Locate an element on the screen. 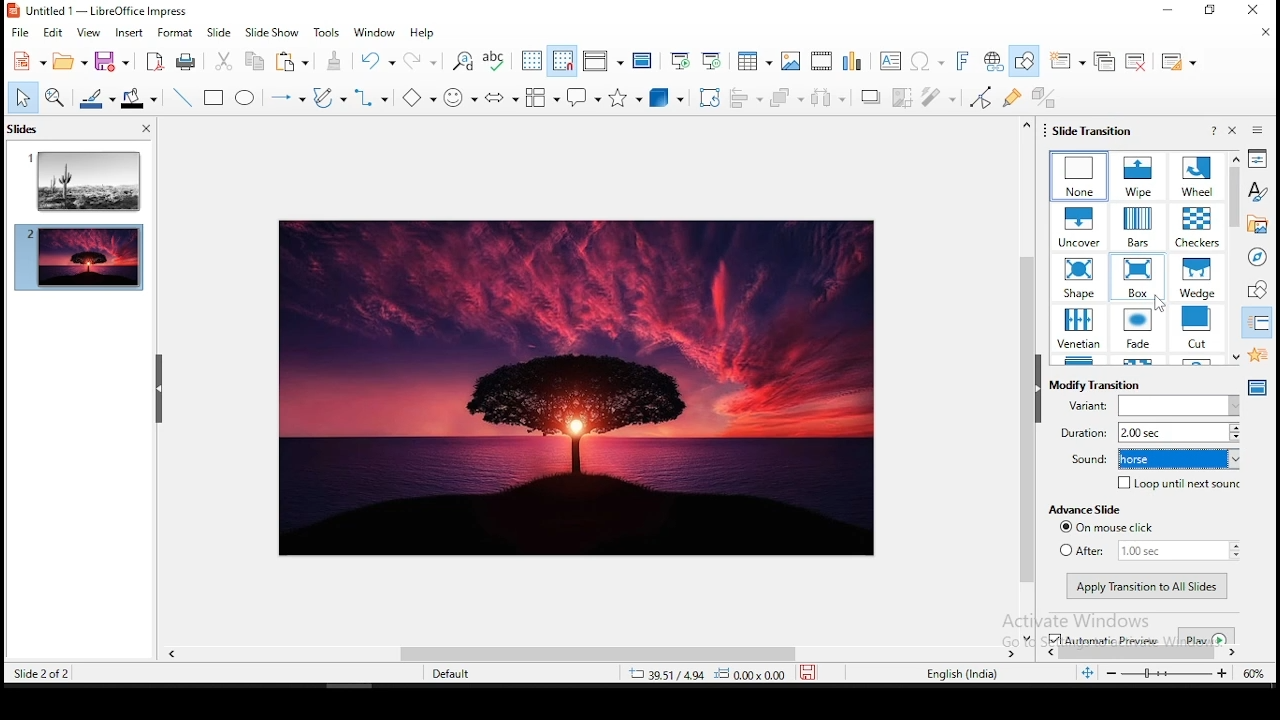 The image size is (1280, 720). transition effects is located at coordinates (1140, 329).